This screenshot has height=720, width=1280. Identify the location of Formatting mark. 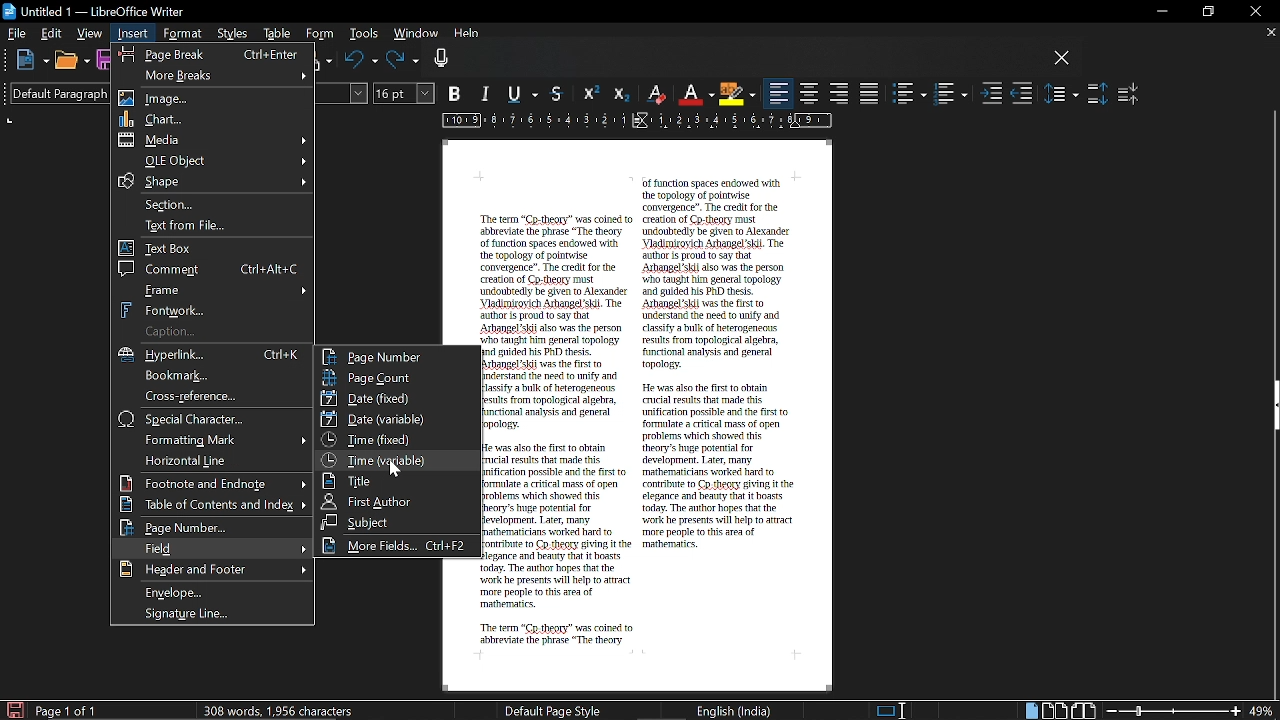
(212, 439).